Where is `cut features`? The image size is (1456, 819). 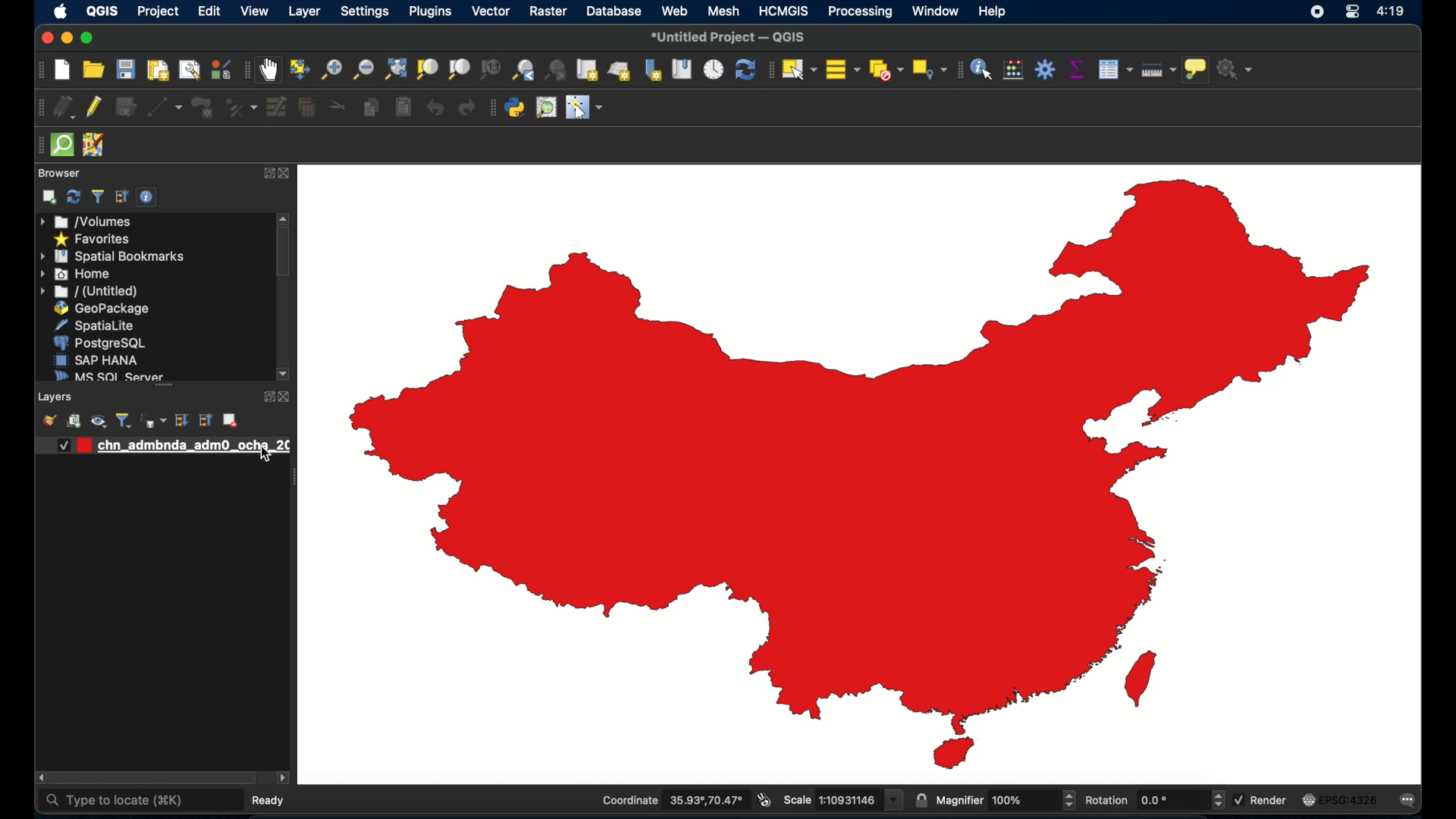 cut features is located at coordinates (338, 107).